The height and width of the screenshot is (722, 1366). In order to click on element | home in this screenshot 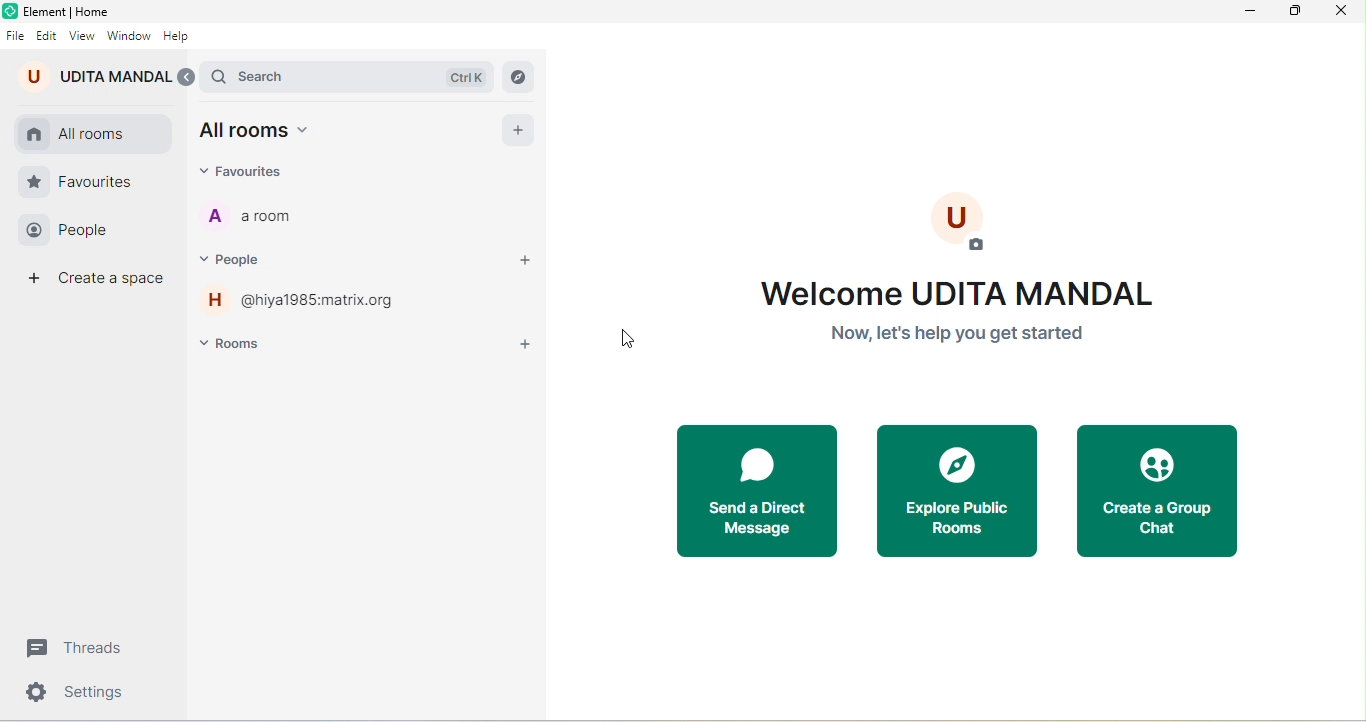, I will do `click(67, 12)`.